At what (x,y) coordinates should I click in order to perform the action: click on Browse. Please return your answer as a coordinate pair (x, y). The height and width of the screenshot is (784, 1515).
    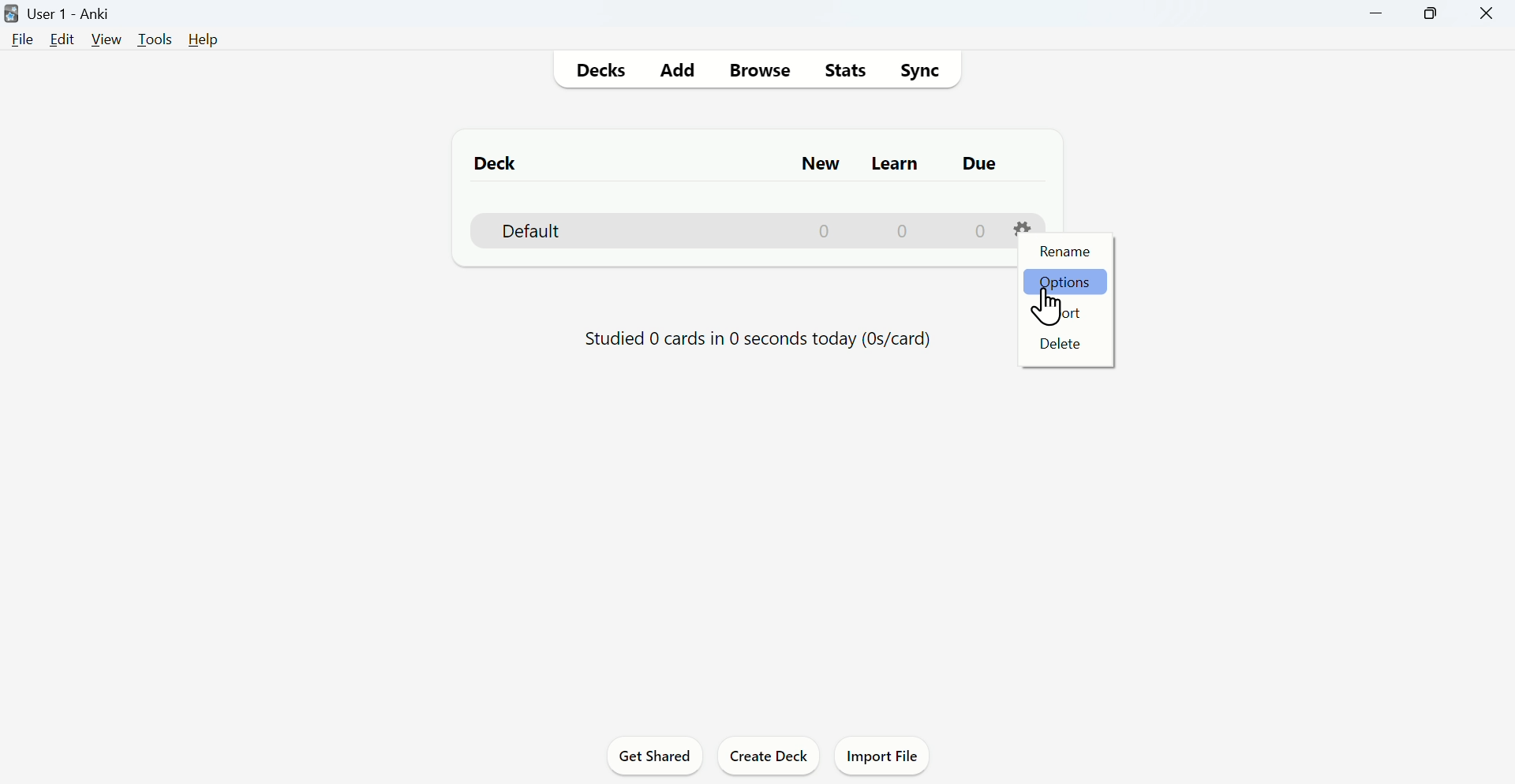
    Looking at the image, I should click on (758, 69).